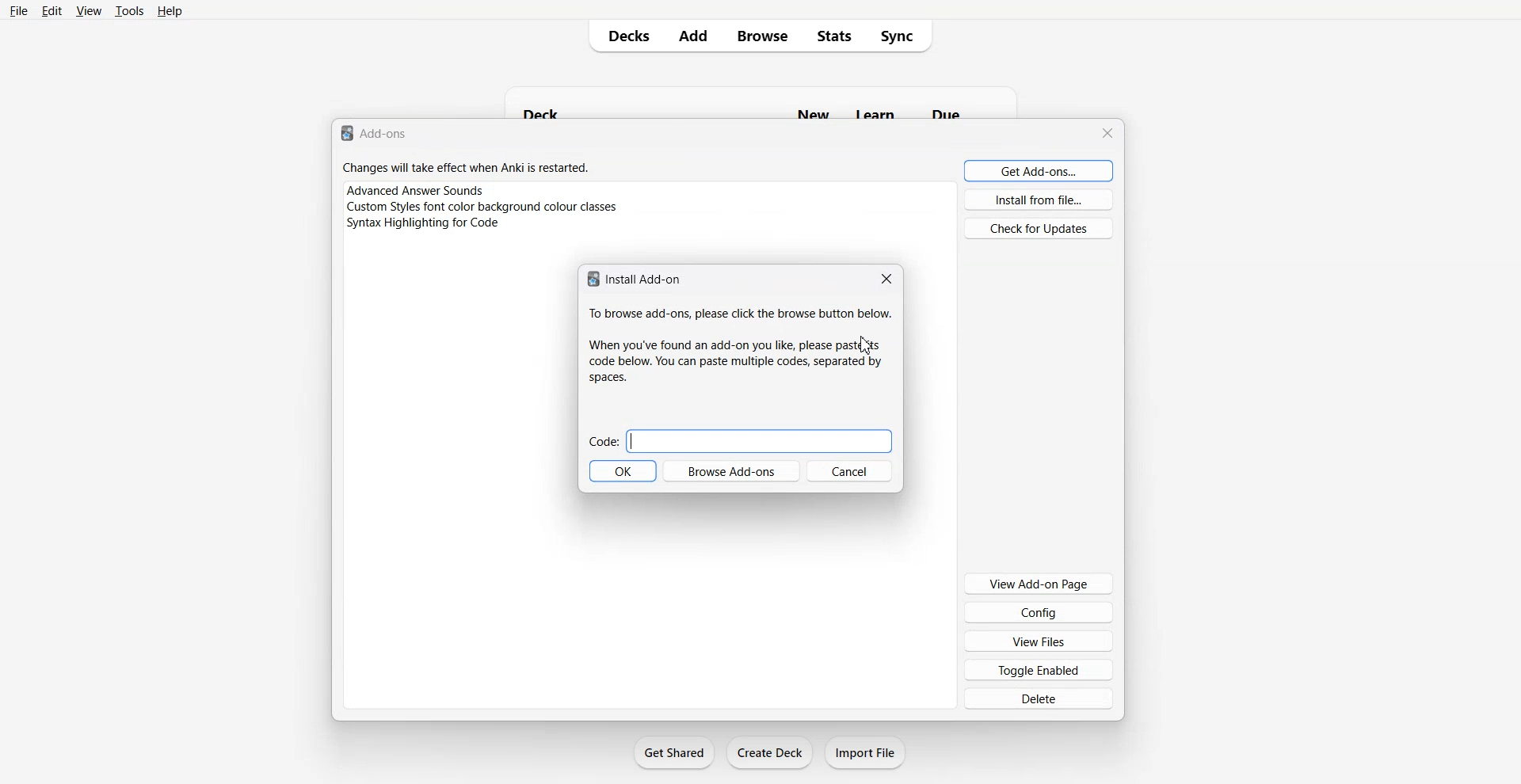 The image size is (1521, 784). I want to click on new, so click(811, 113).